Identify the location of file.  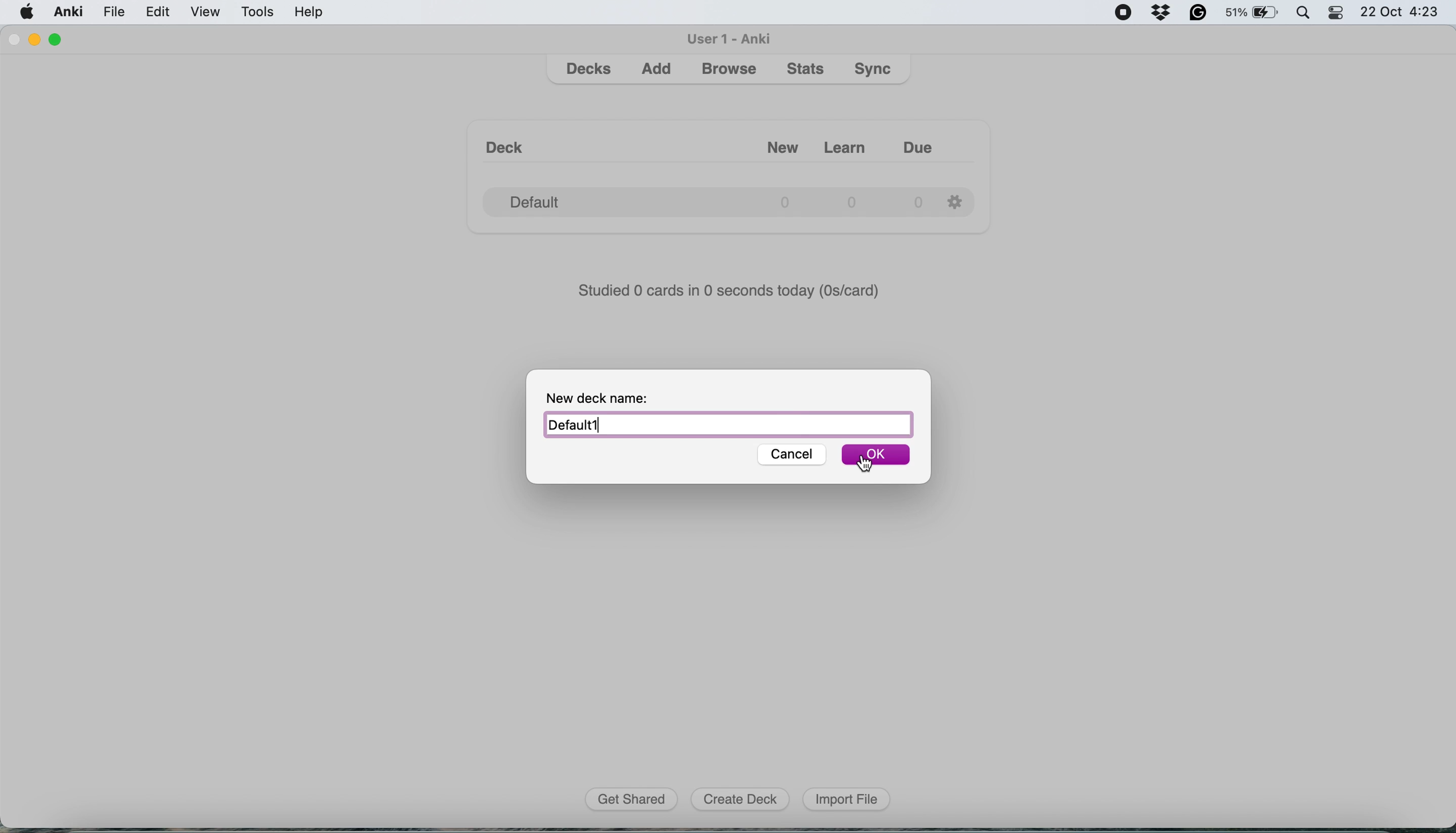
(113, 12).